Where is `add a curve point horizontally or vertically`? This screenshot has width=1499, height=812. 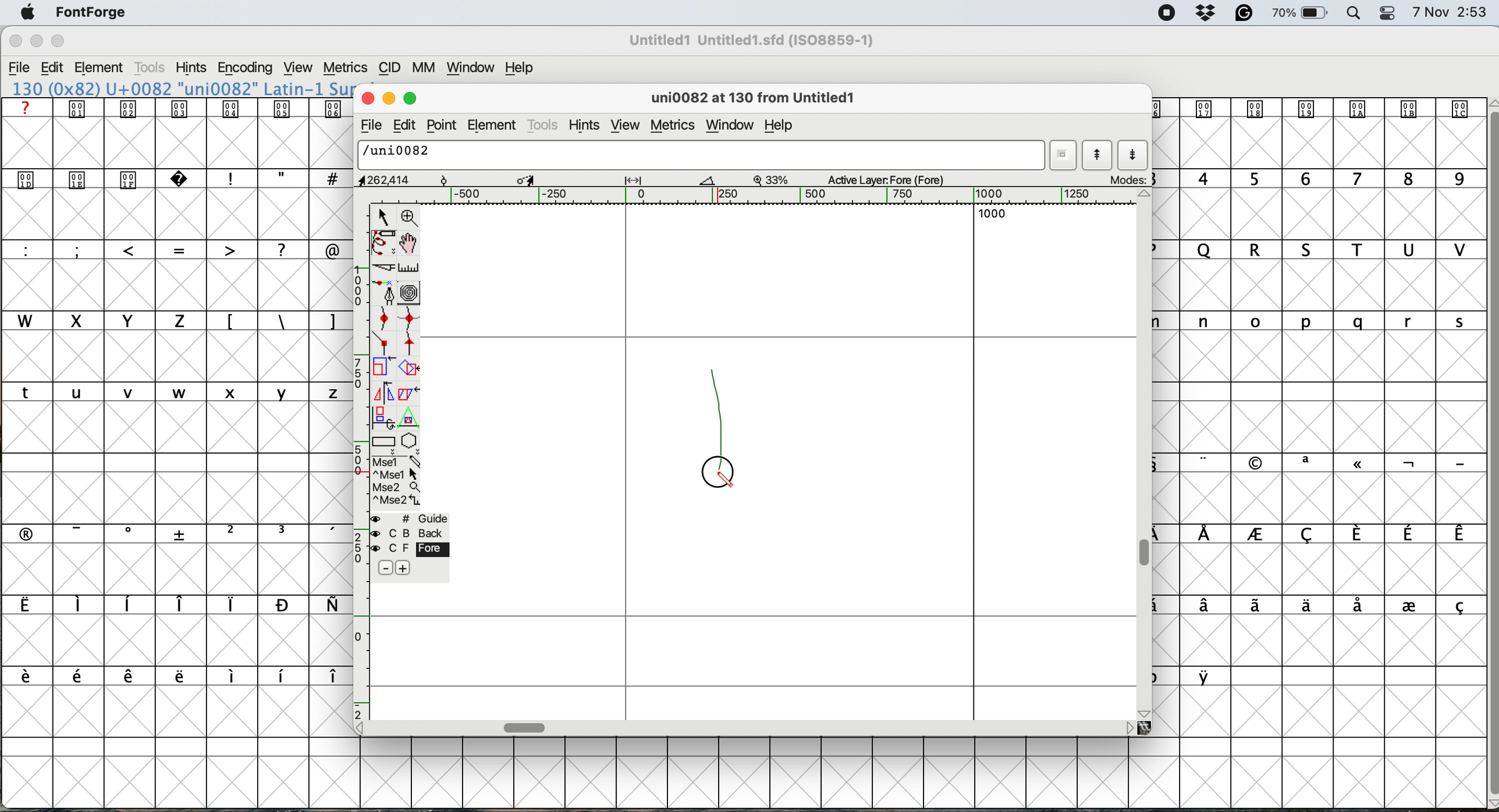 add a curve point horizontally or vertically is located at coordinates (413, 321).